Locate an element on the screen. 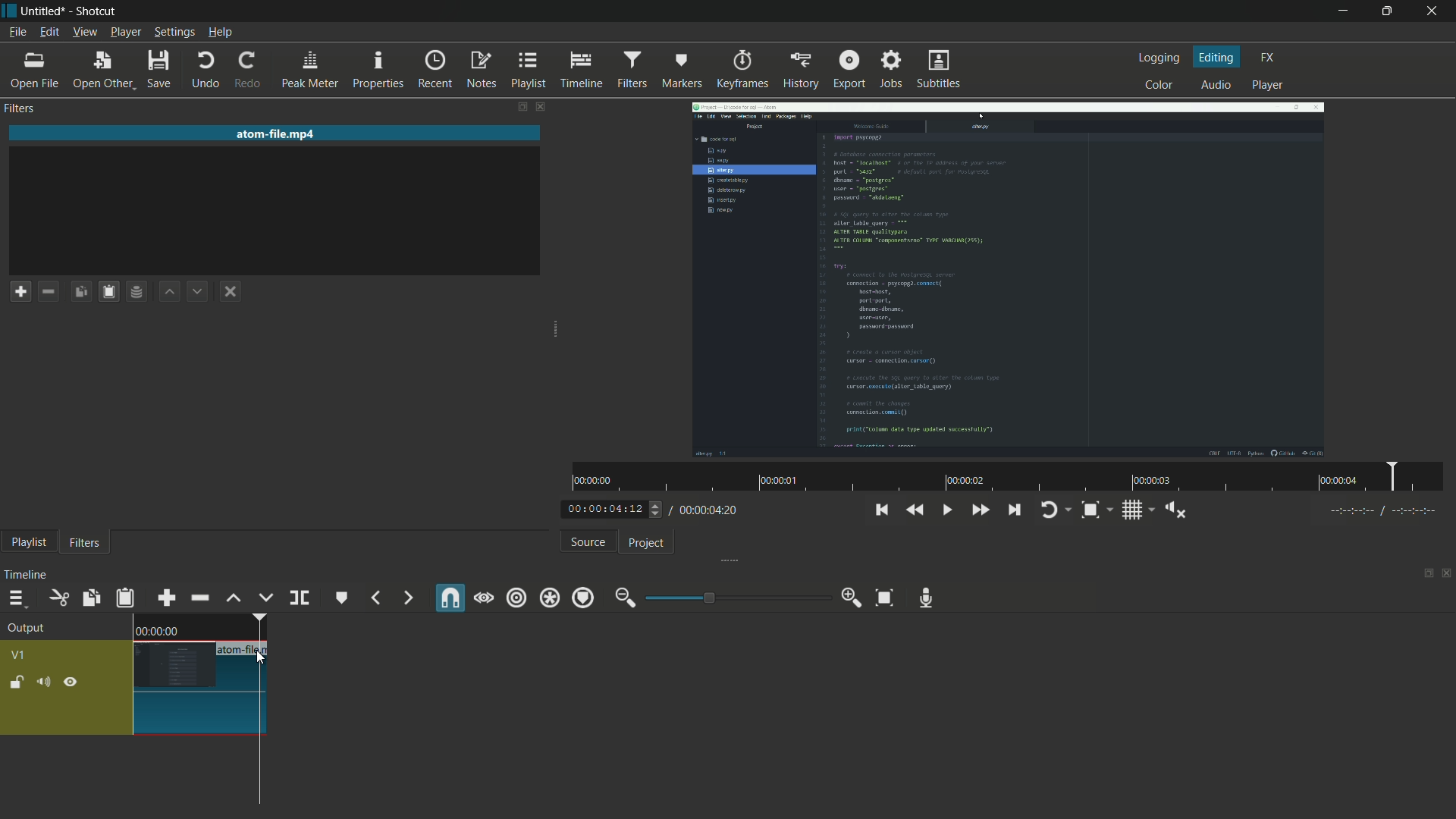 This screenshot has height=819, width=1456. open file is located at coordinates (33, 72).